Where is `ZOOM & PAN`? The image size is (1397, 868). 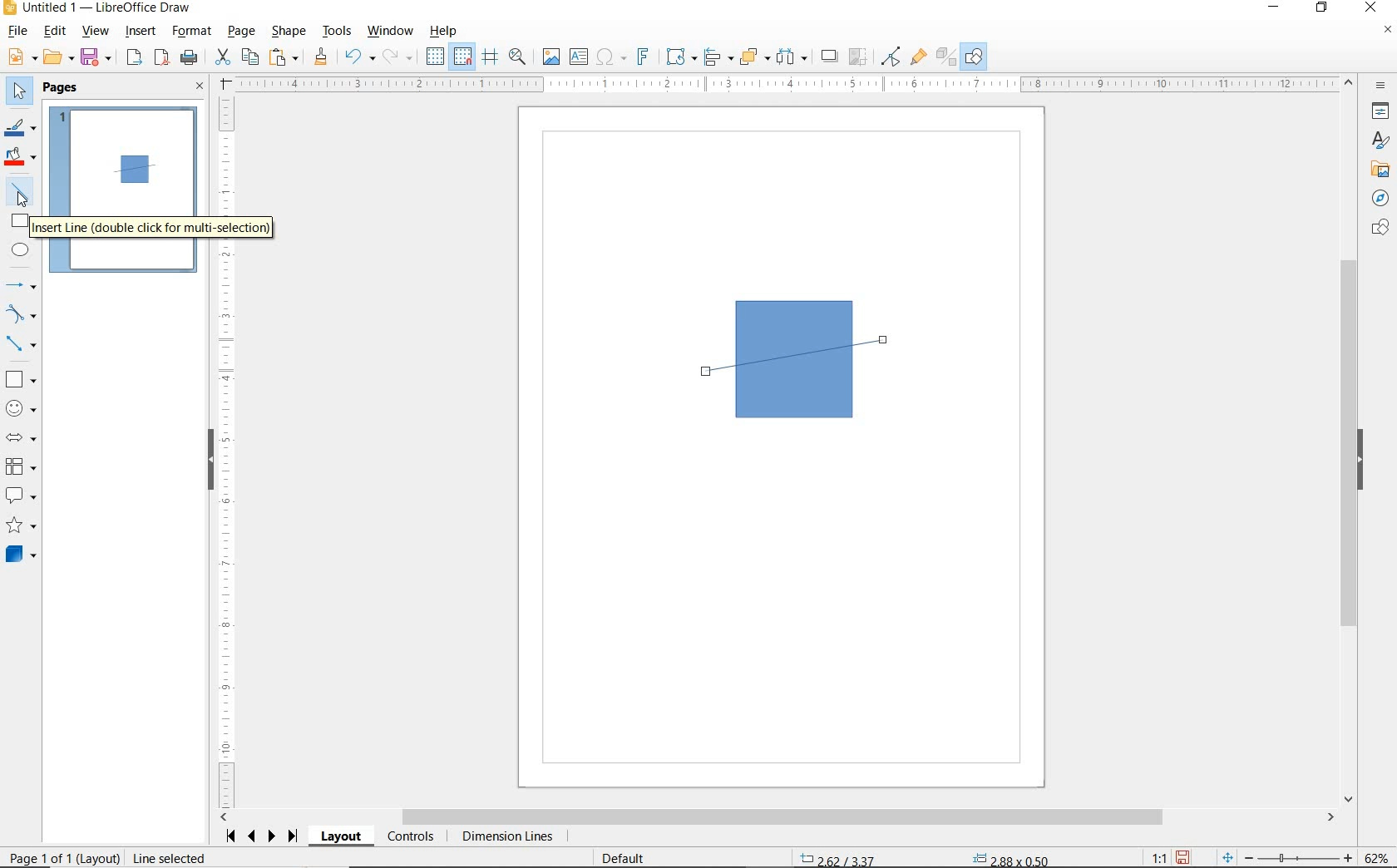
ZOOM & PAN is located at coordinates (518, 57).